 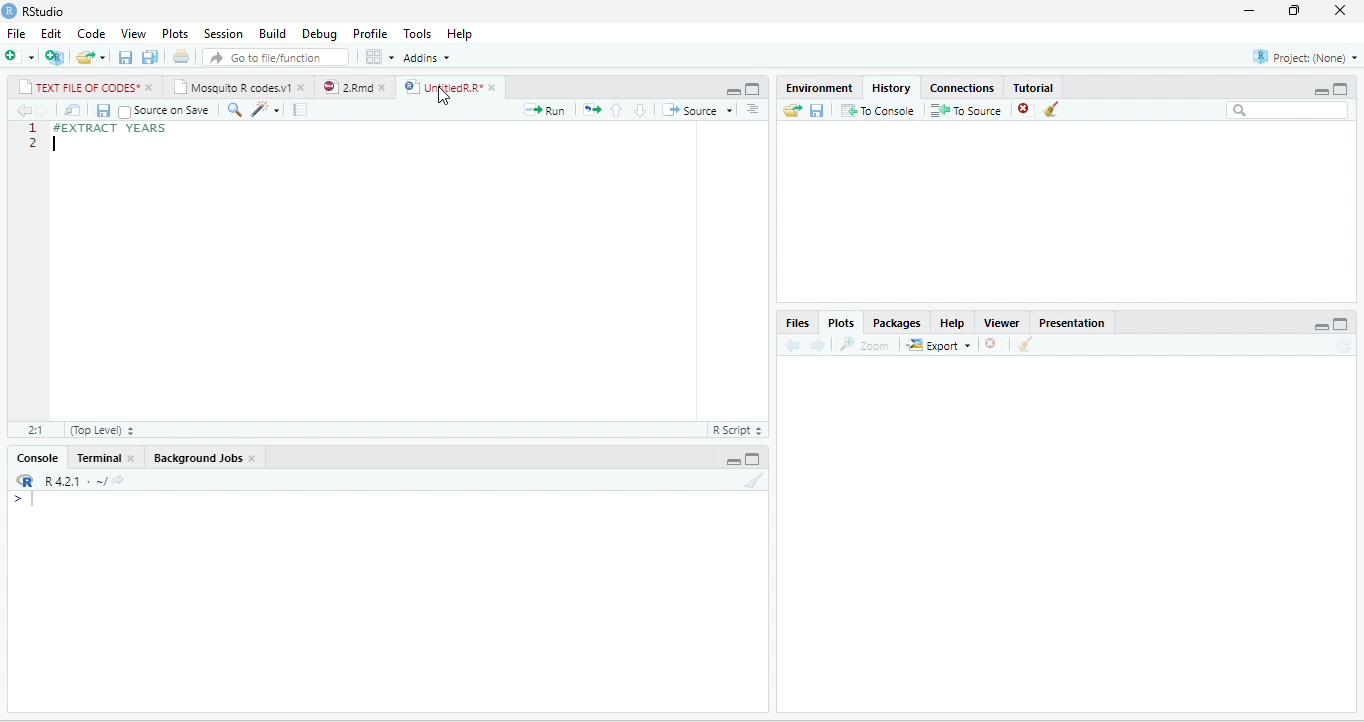 What do you see at coordinates (460, 35) in the screenshot?
I see `Help` at bounding box center [460, 35].